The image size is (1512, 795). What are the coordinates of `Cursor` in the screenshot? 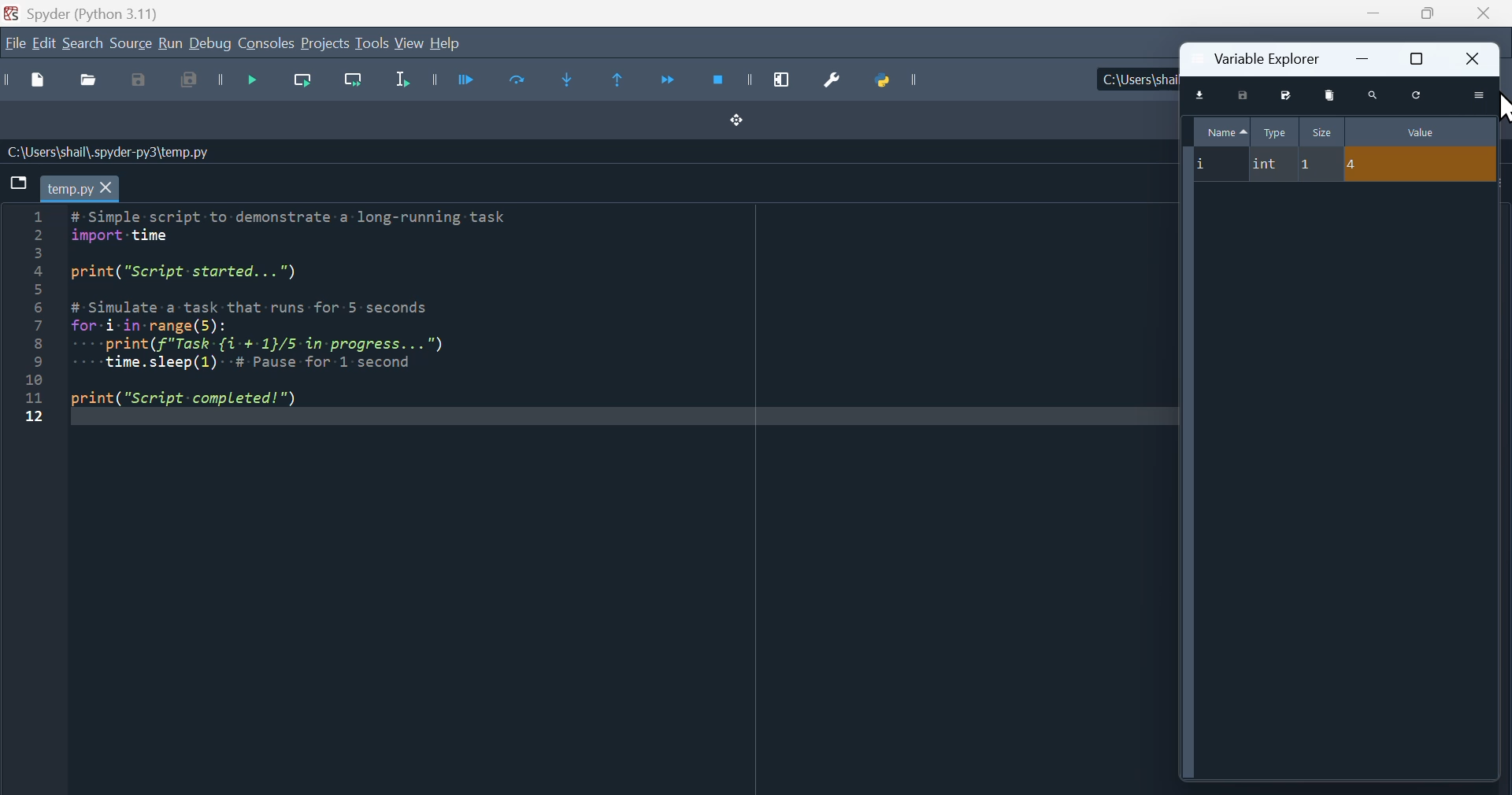 It's located at (1501, 106).